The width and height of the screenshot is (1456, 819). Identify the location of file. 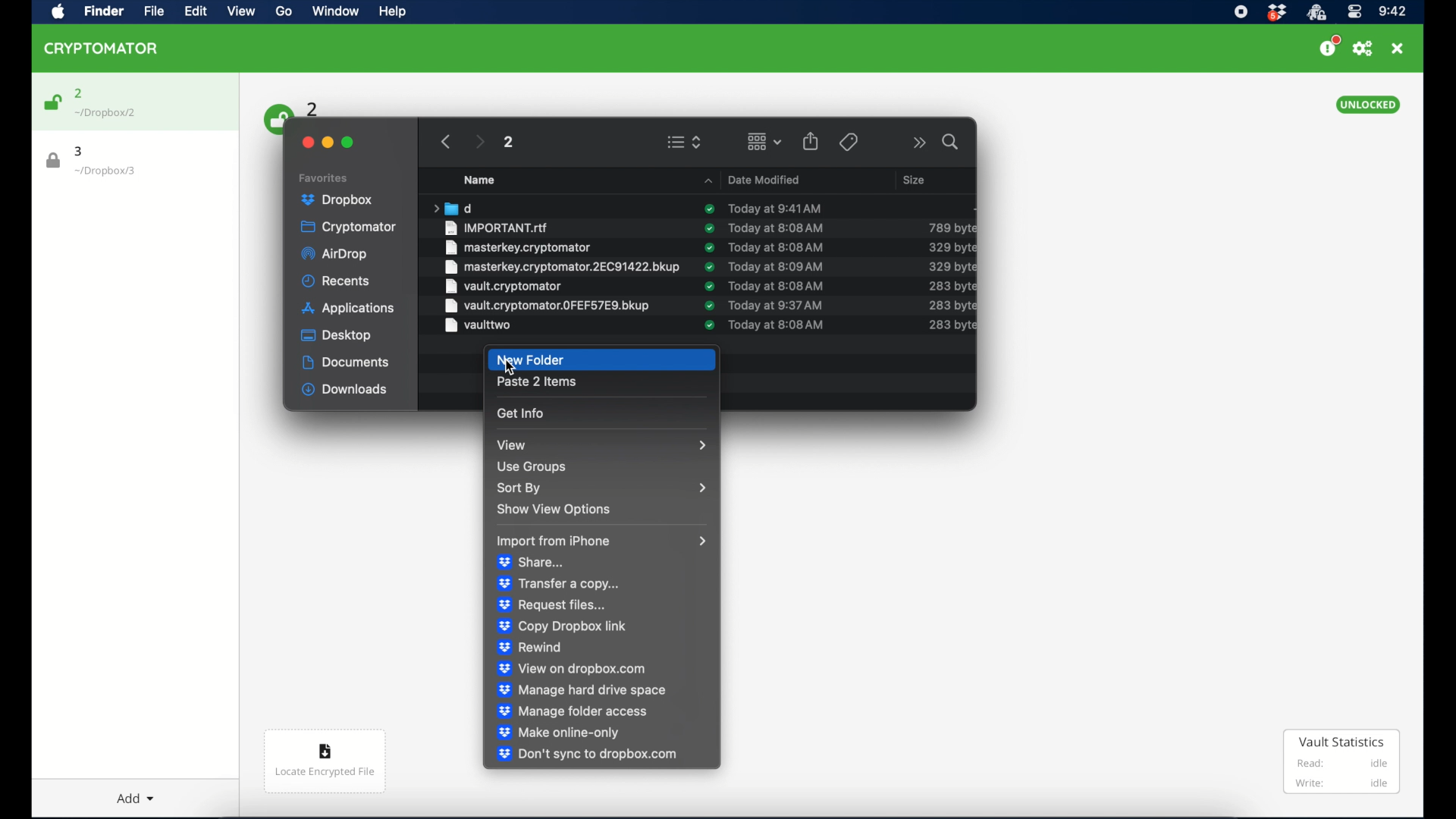
(150, 11).